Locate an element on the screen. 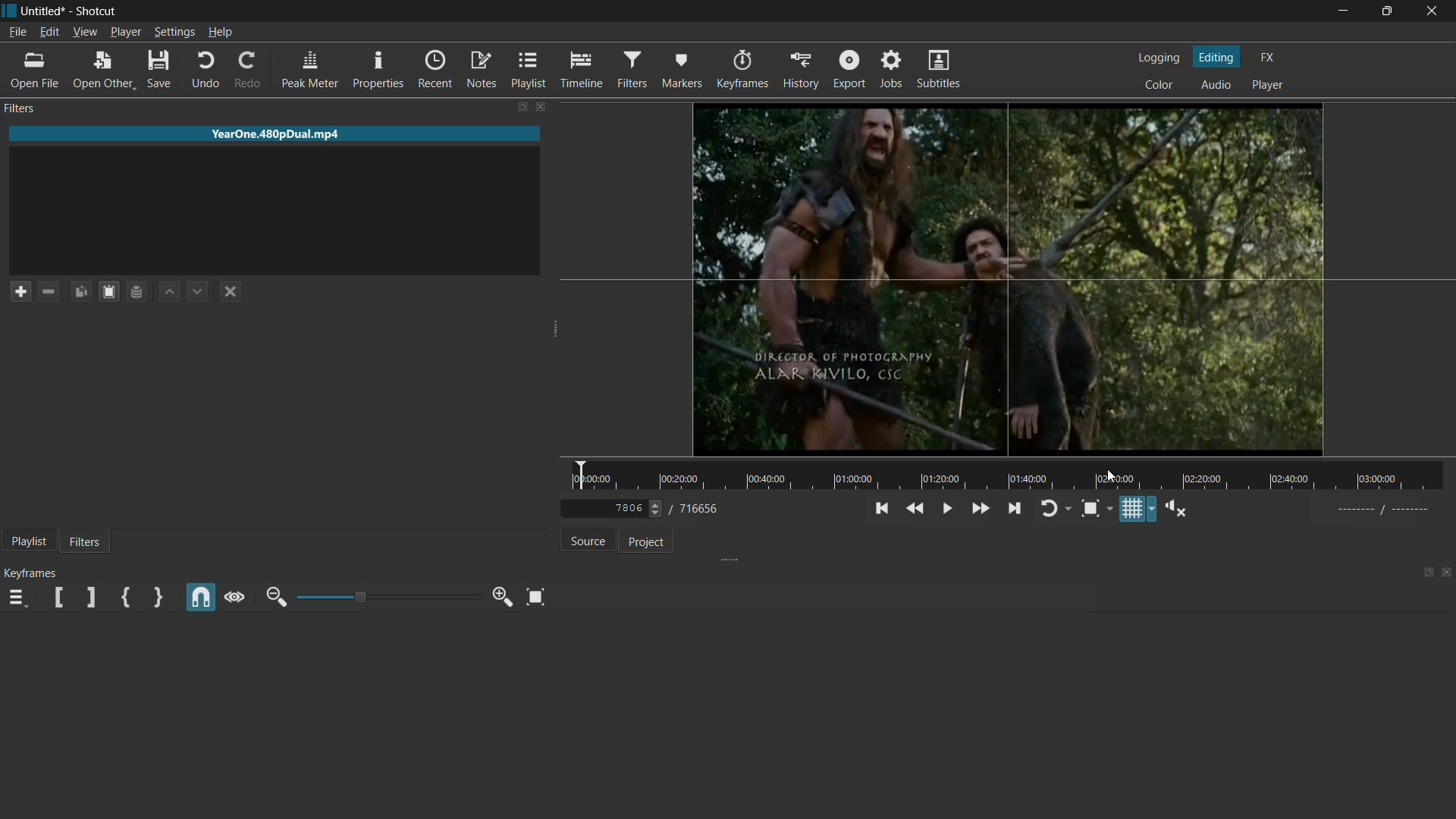 Image resolution: width=1456 pixels, height=819 pixels. toggle zoom is located at coordinates (1090, 510).